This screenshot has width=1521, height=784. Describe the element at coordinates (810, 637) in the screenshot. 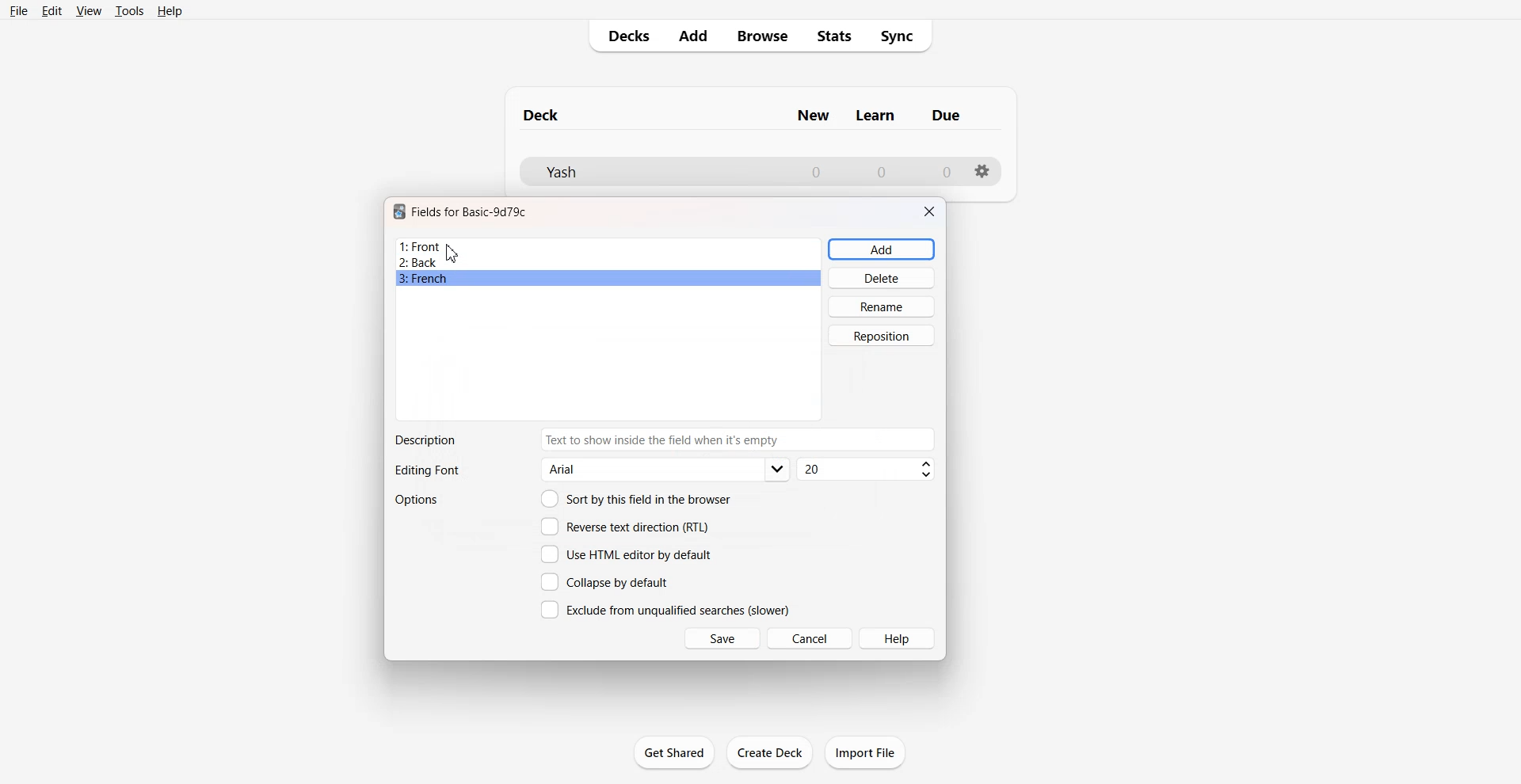

I see `Cancel` at that location.